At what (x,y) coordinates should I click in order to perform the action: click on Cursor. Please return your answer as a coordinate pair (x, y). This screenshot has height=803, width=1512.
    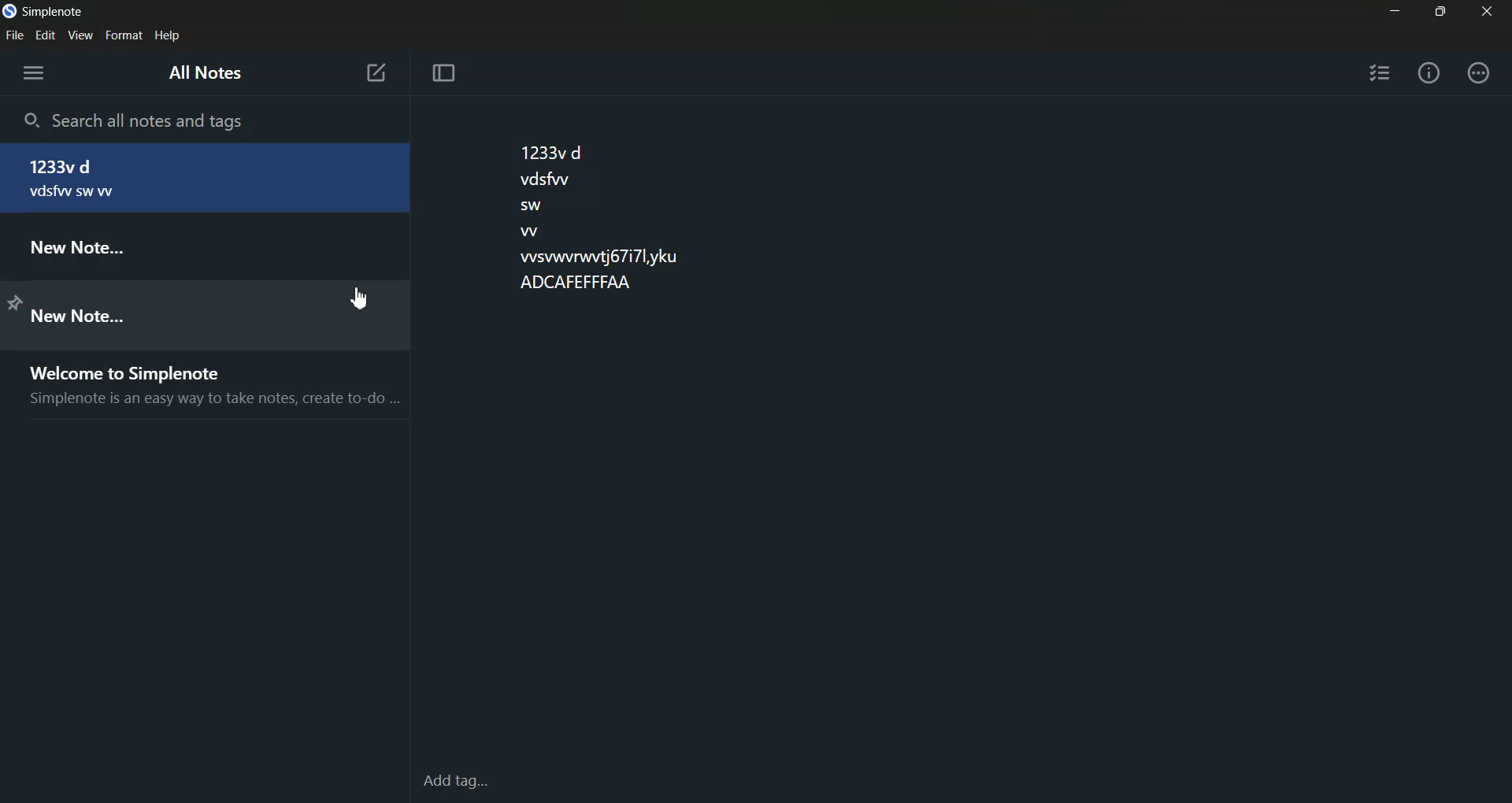
    Looking at the image, I should click on (360, 299).